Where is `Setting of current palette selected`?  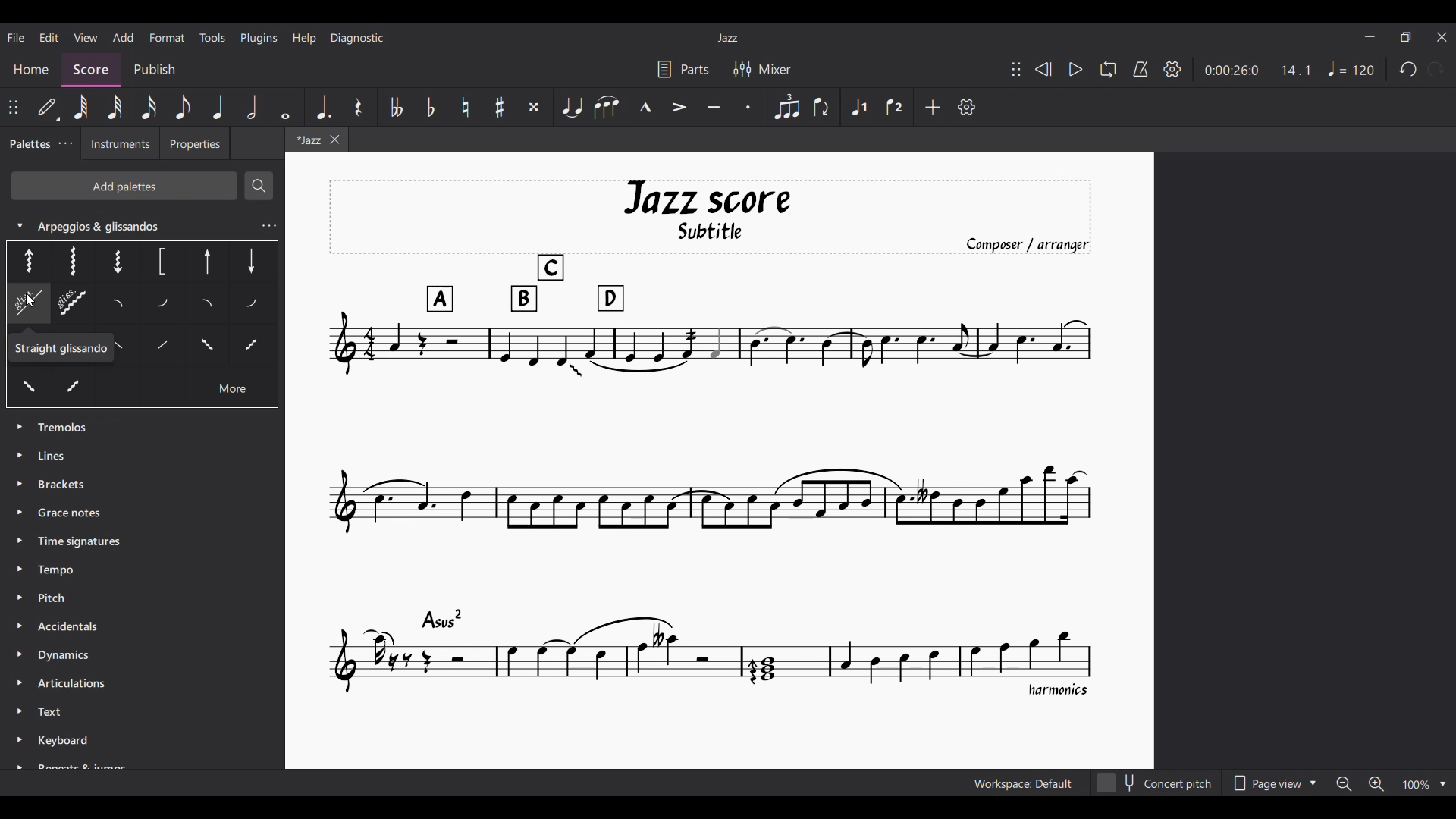
Setting of current palette selected is located at coordinates (268, 226).